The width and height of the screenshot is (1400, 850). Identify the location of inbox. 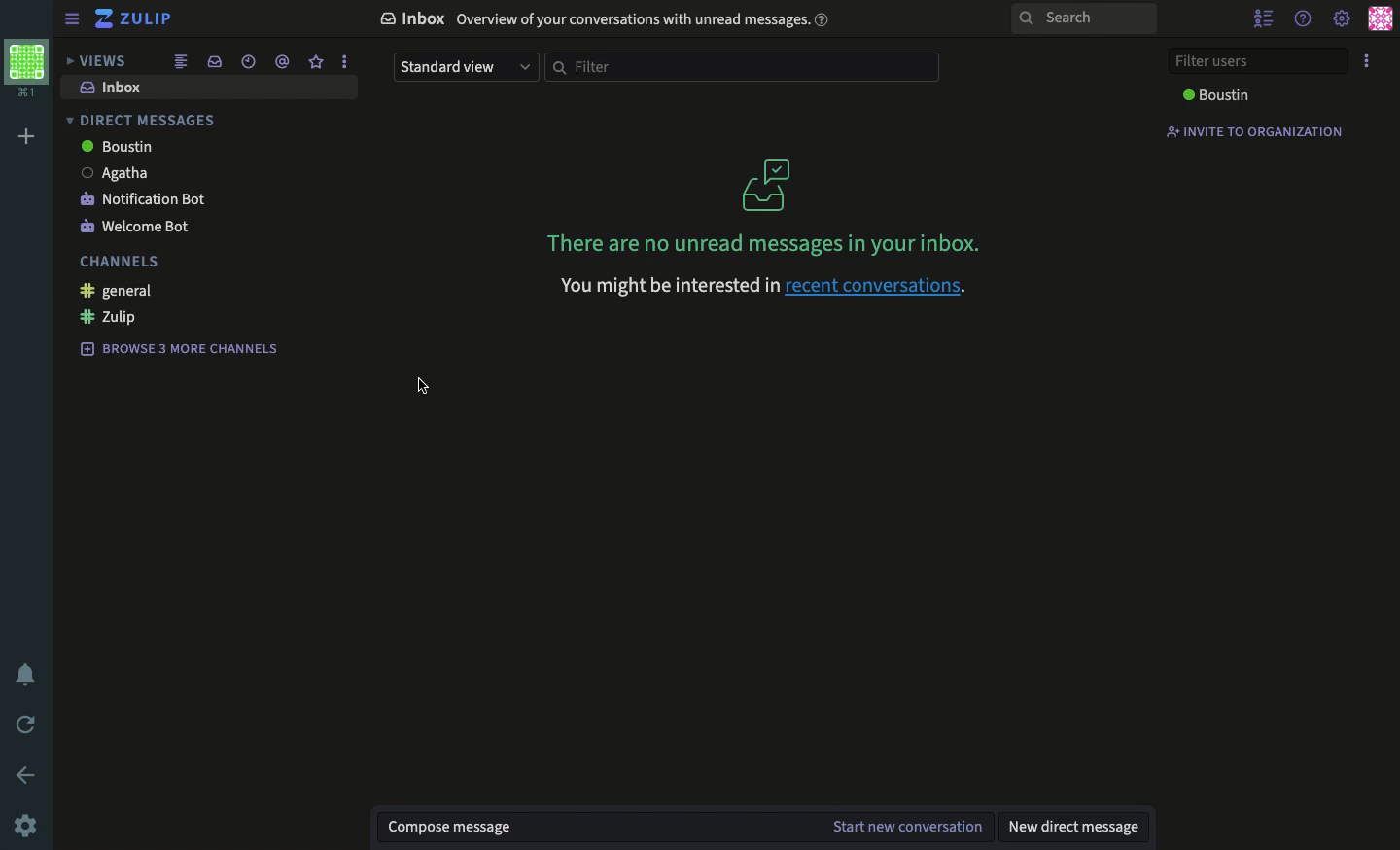
(115, 89).